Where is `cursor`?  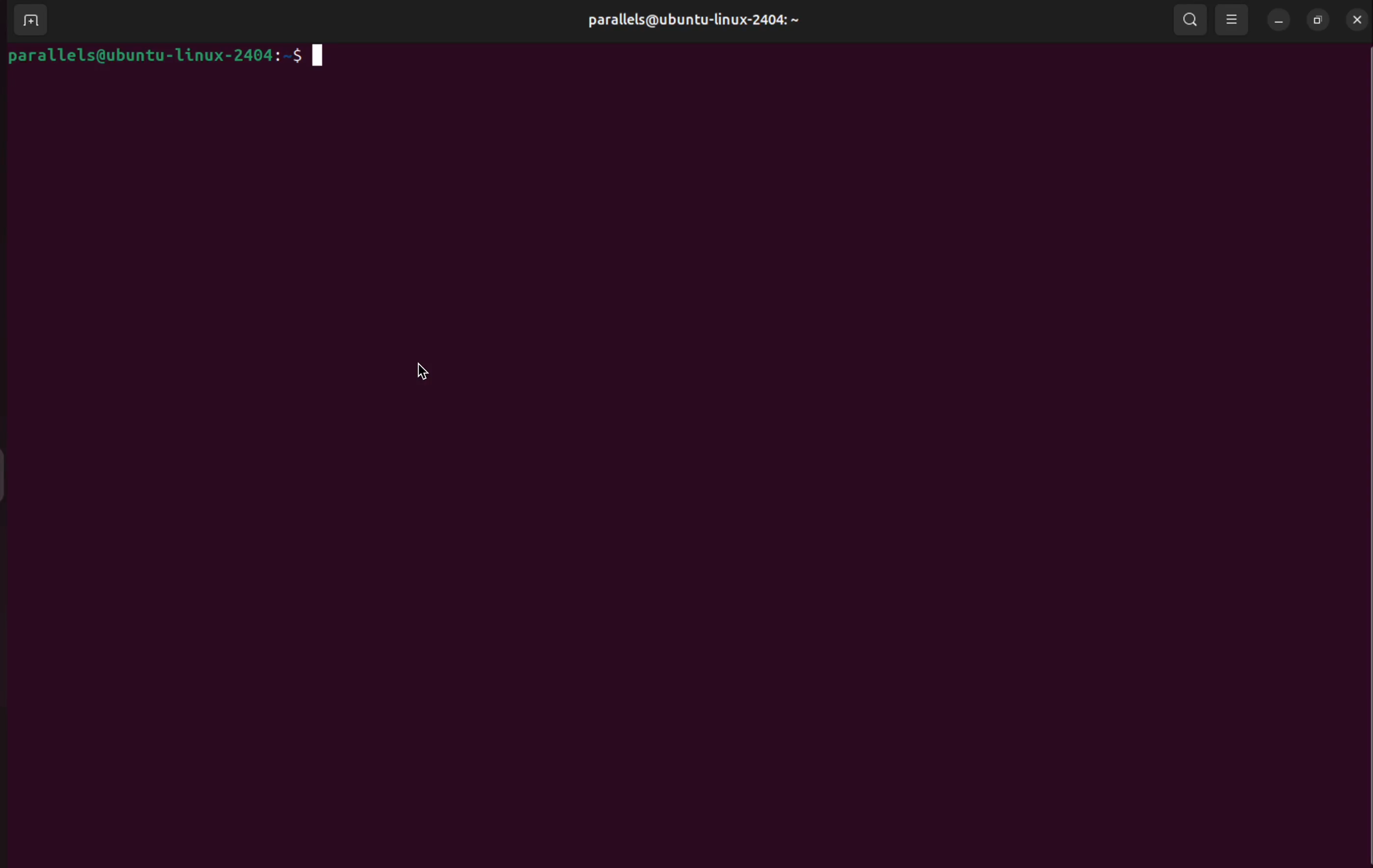 cursor is located at coordinates (426, 368).